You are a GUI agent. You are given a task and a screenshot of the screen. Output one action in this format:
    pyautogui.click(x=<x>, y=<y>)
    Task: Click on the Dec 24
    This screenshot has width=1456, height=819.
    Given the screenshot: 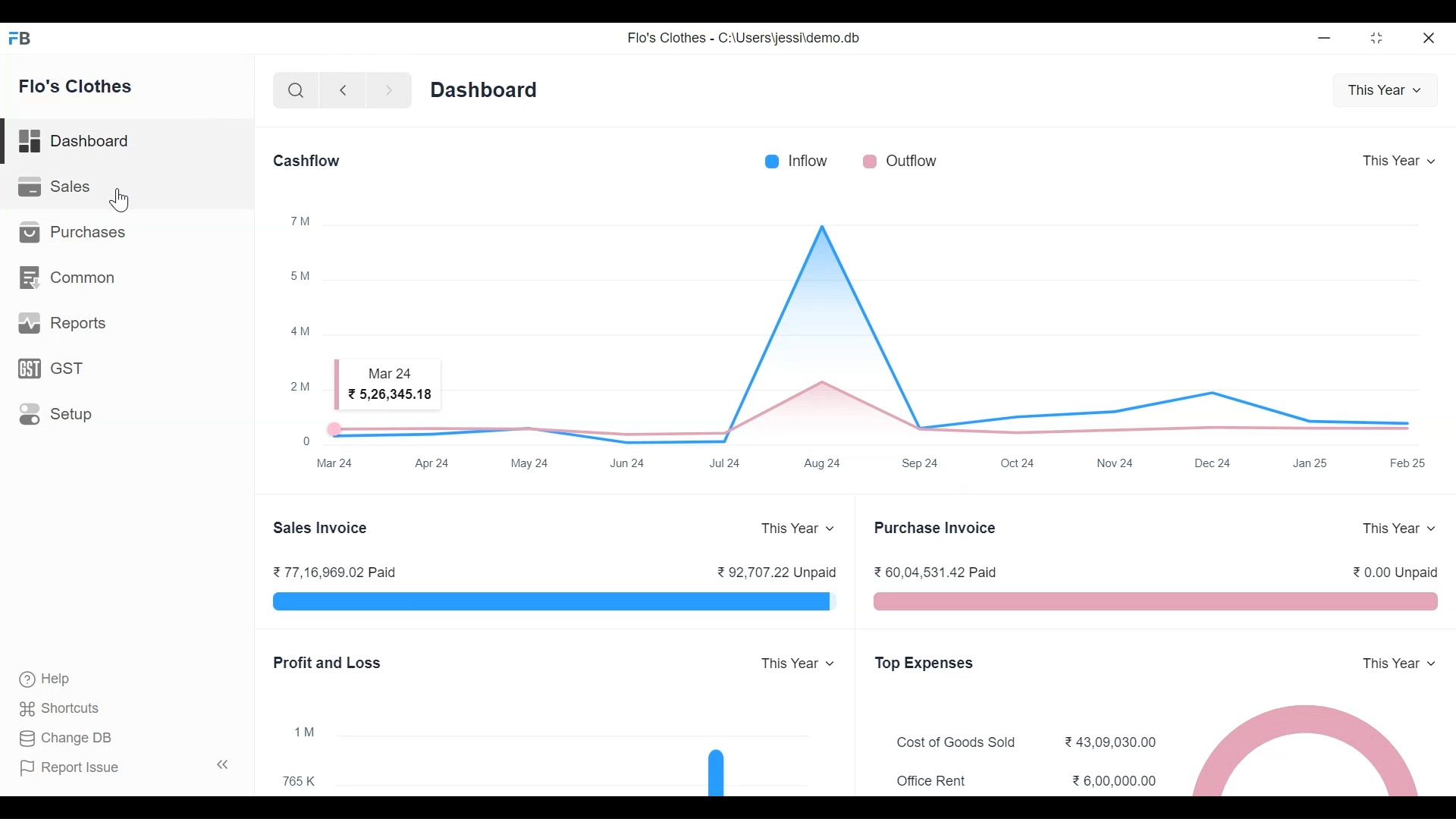 What is the action you would take?
    pyautogui.click(x=1213, y=463)
    